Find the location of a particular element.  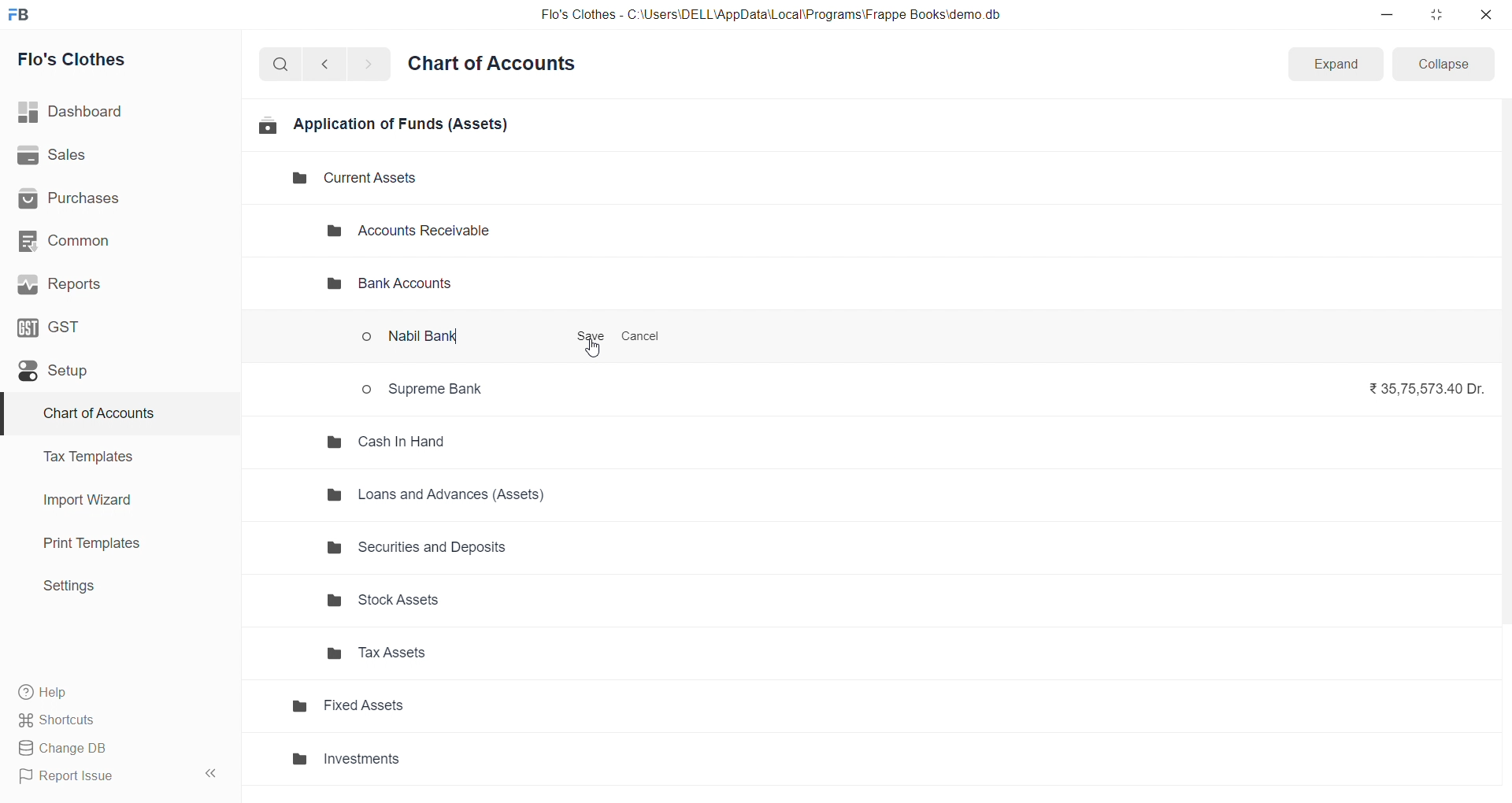

Common is located at coordinates (111, 240).